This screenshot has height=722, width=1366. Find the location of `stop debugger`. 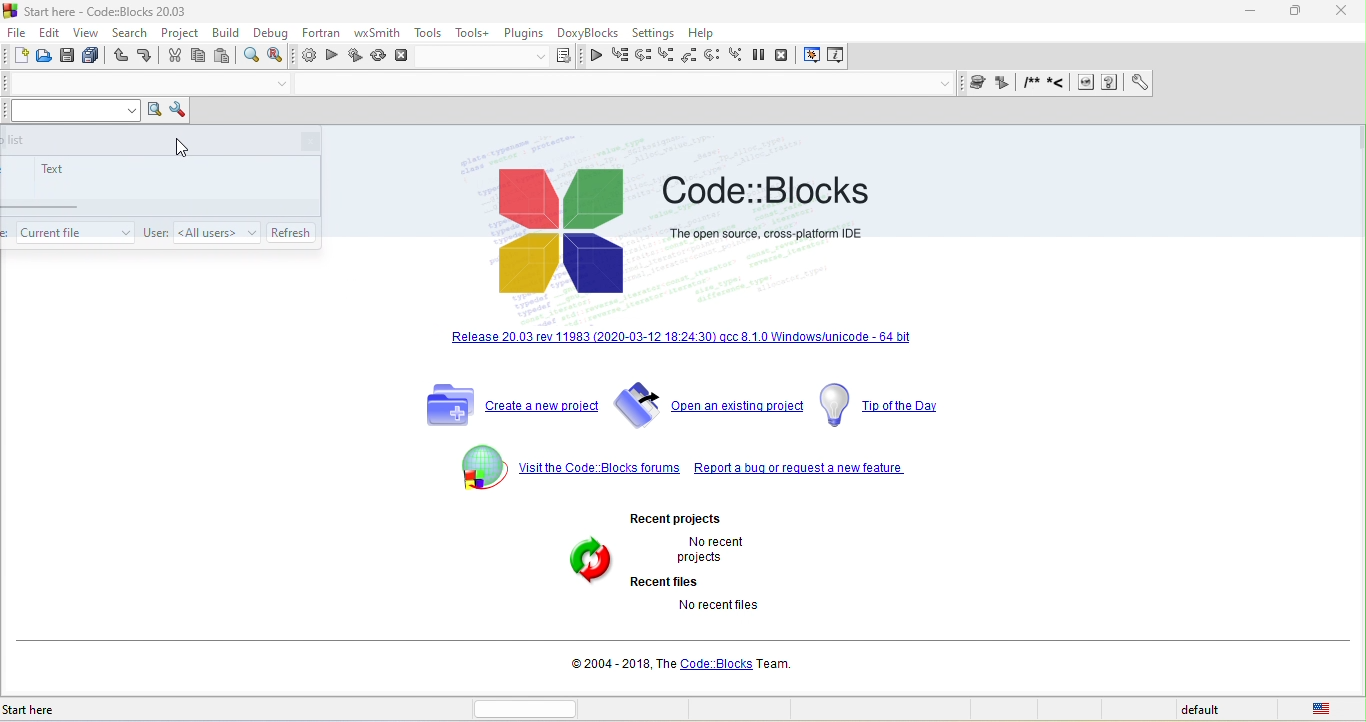

stop debugger is located at coordinates (788, 57).